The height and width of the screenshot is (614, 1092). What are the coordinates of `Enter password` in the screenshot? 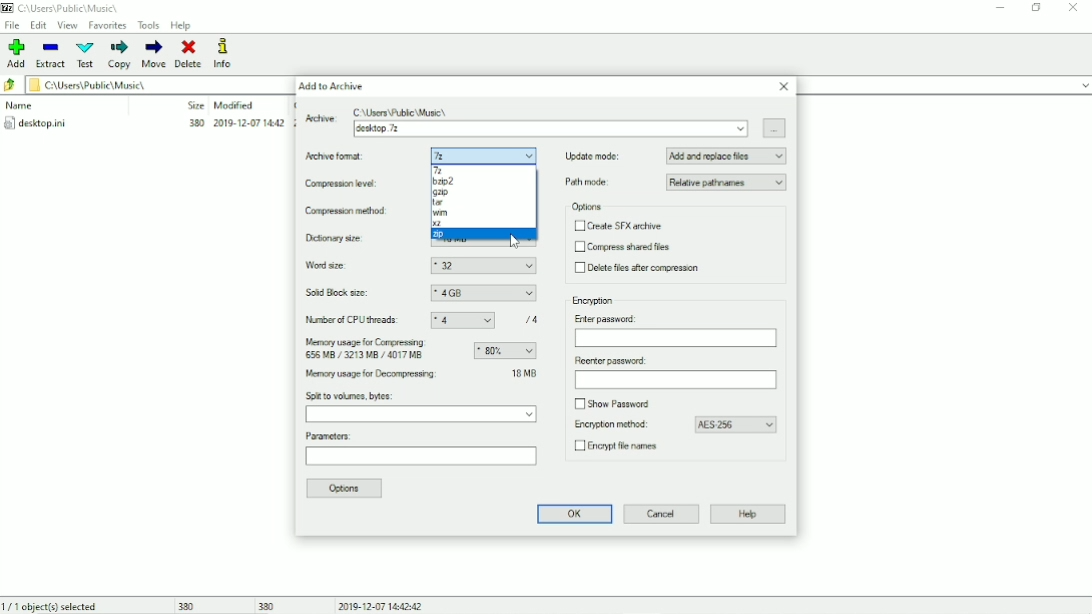 It's located at (674, 330).